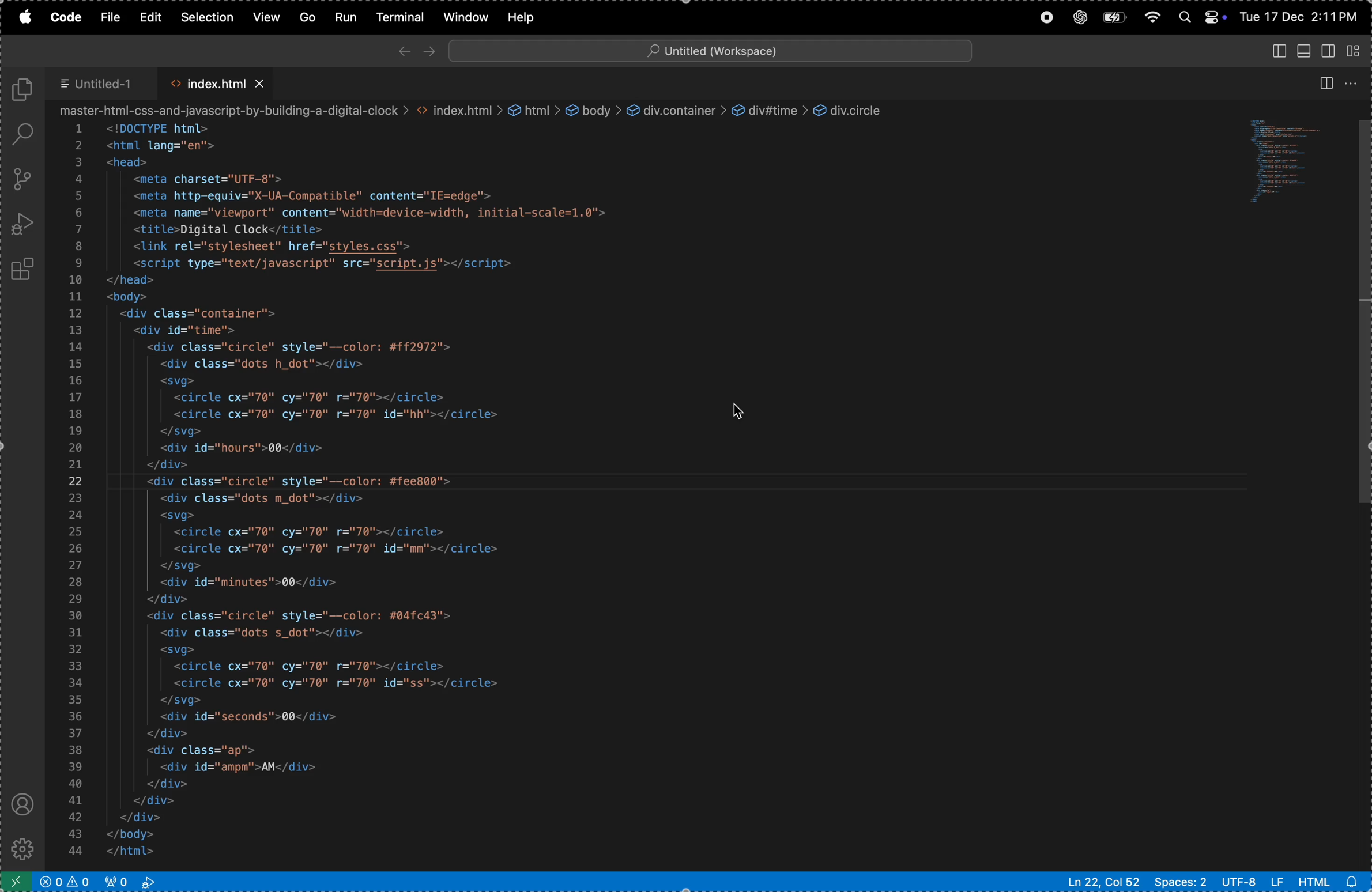 The width and height of the screenshot is (1372, 892). Describe the element at coordinates (1305, 52) in the screenshot. I see `toggle primary side bar` at that location.